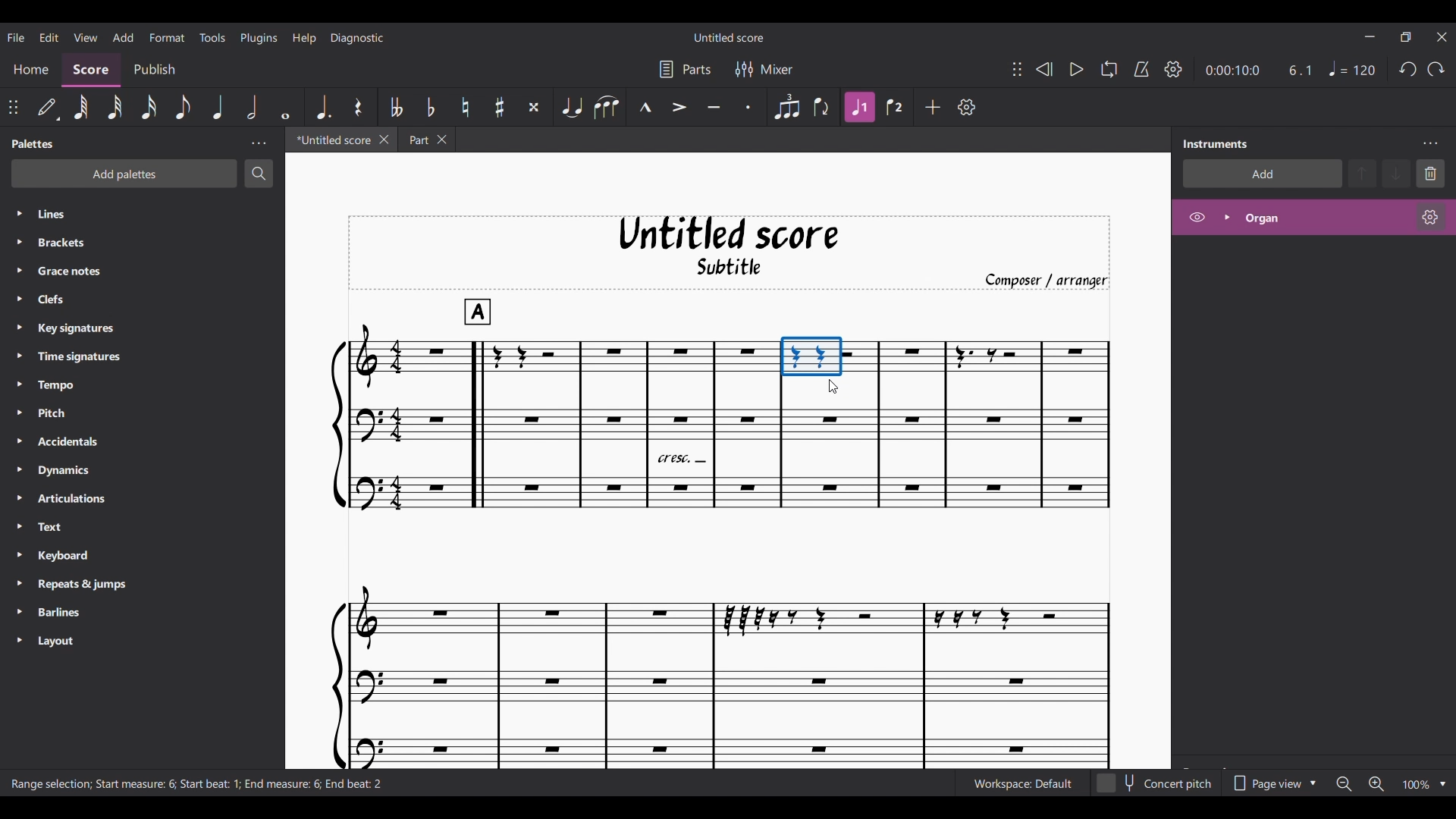 The width and height of the screenshot is (1456, 819). Describe the element at coordinates (426, 140) in the screenshot. I see `Earlier tab` at that location.